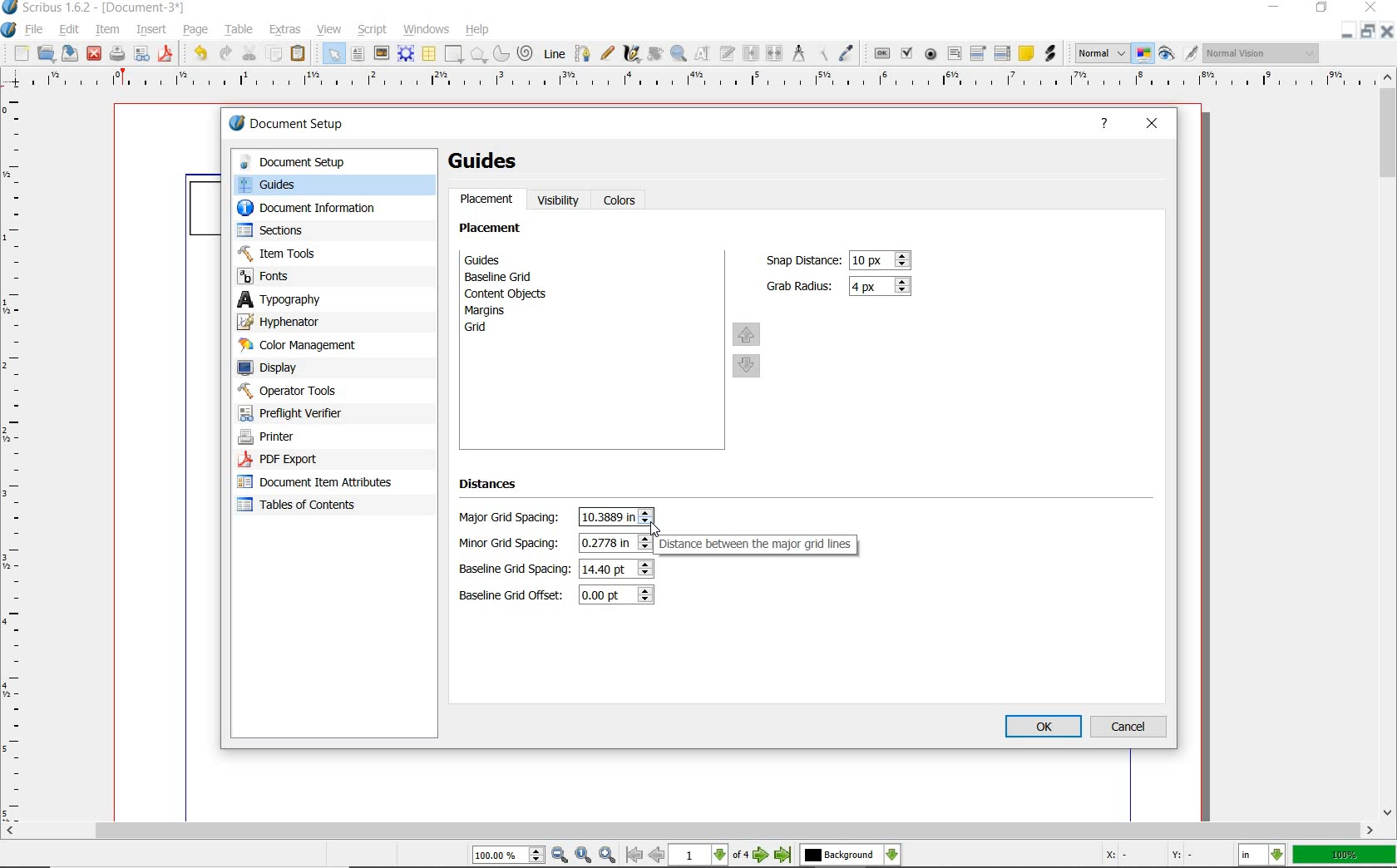 The width and height of the screenshot is (1397, 868). What do you see at coordinates (498, 329) in the screenshot?
I see `grid` at bounding box center [498, 329].